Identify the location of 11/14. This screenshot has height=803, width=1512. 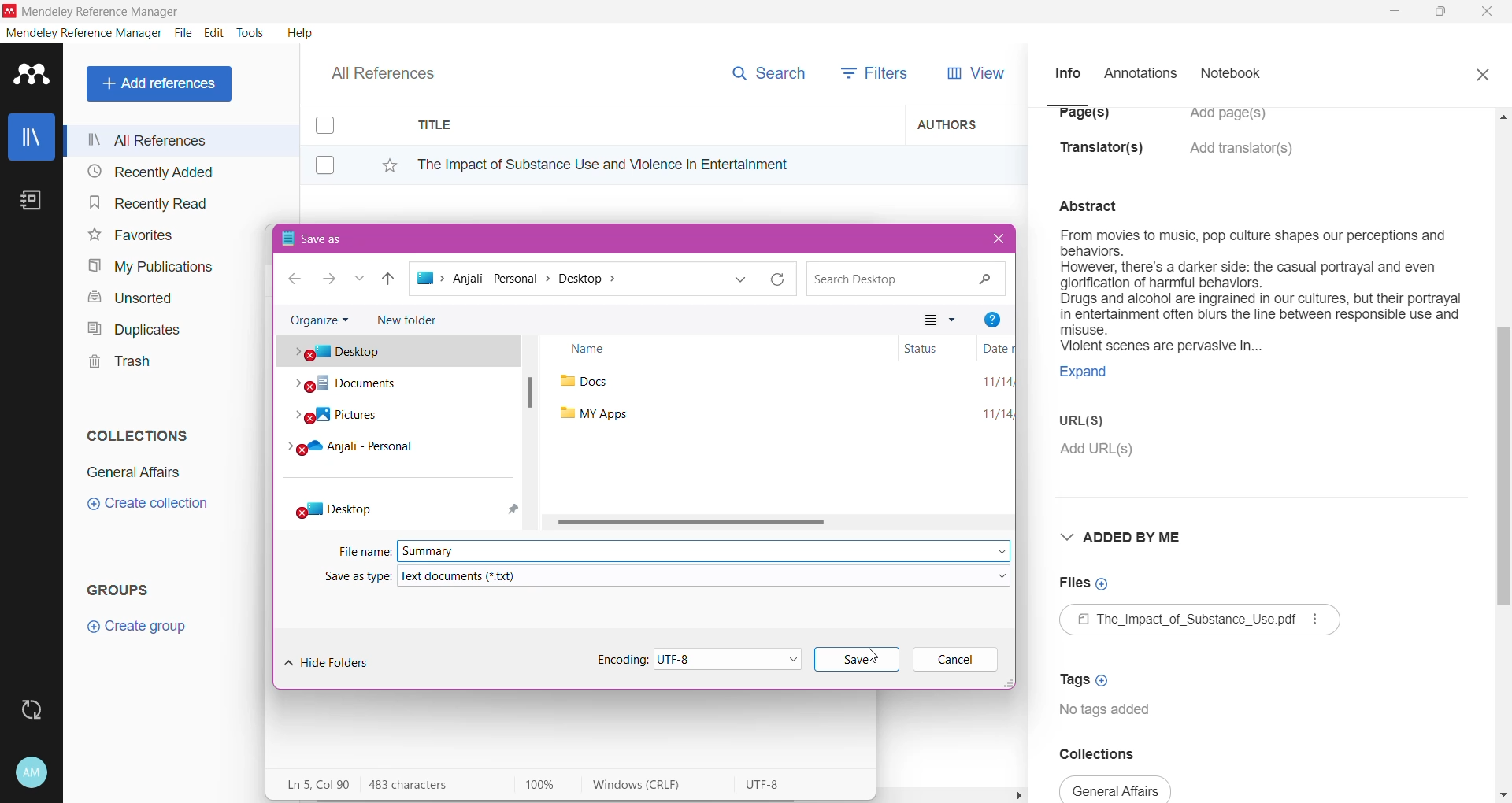
(994, 383).